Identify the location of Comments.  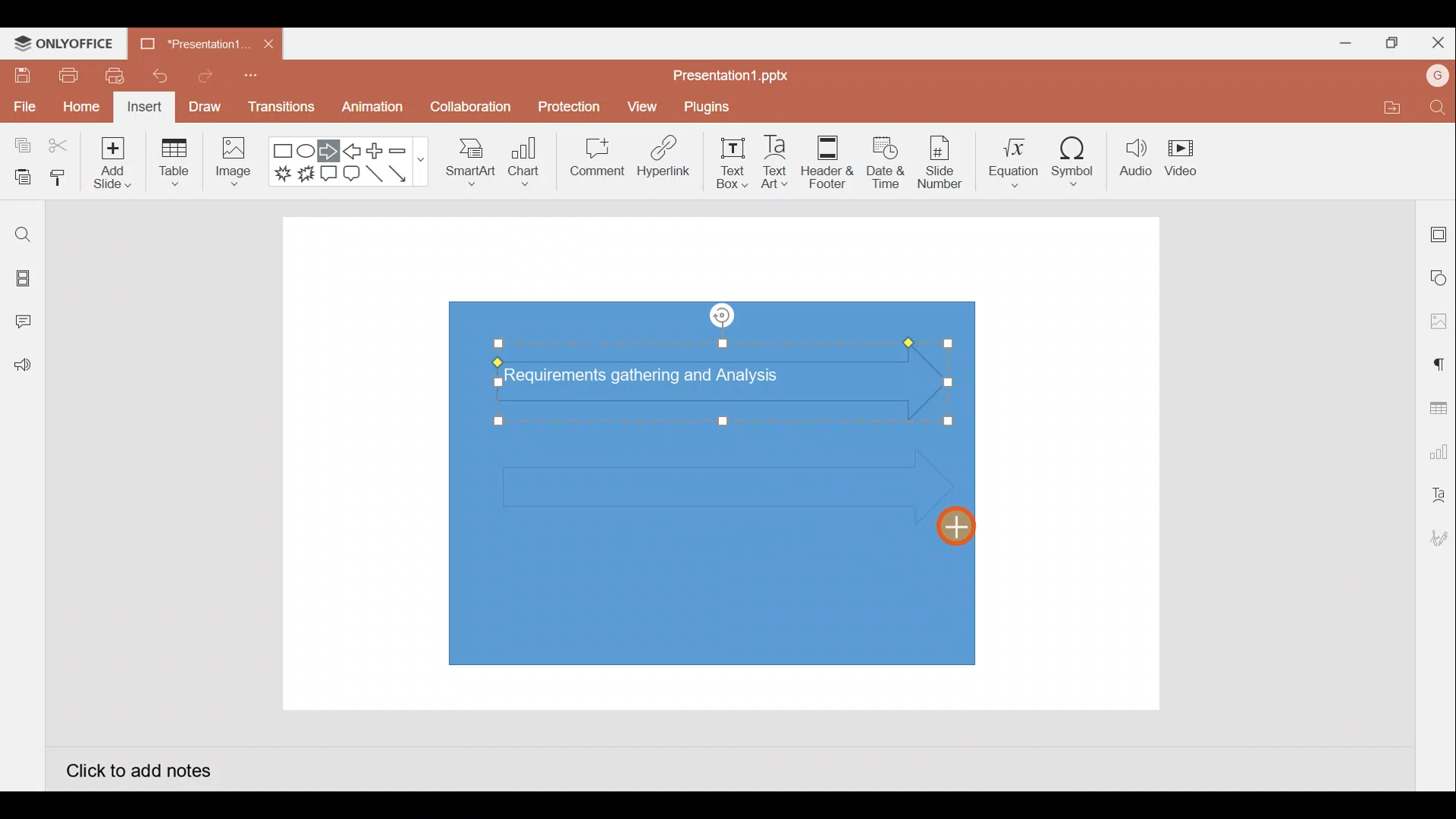
(27, 323).